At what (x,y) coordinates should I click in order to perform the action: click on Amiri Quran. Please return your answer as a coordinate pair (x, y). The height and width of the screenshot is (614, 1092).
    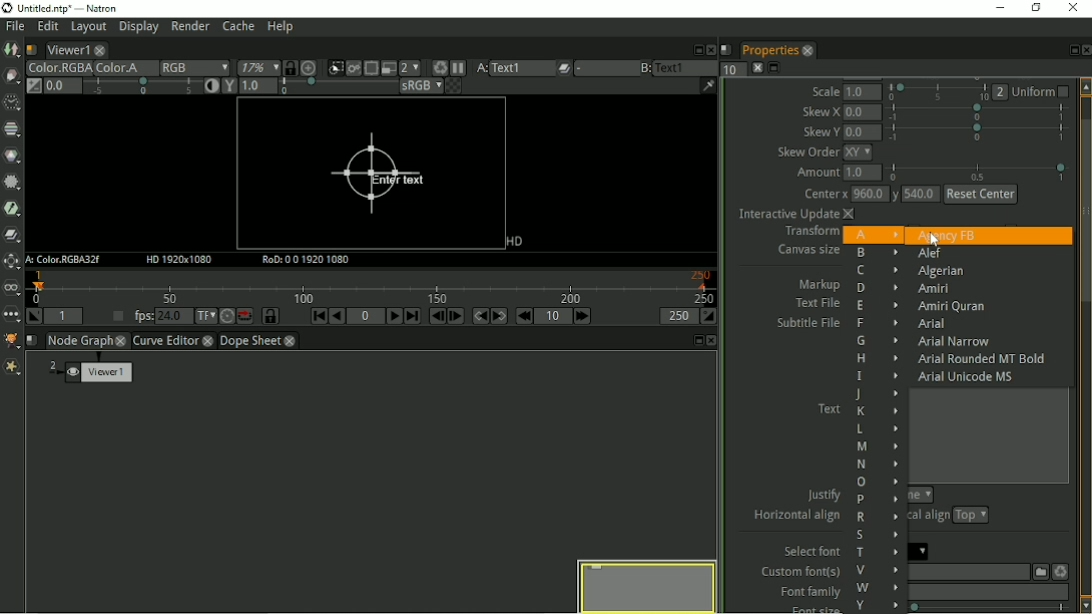
    Looking at the image, I should click on (949, 307).